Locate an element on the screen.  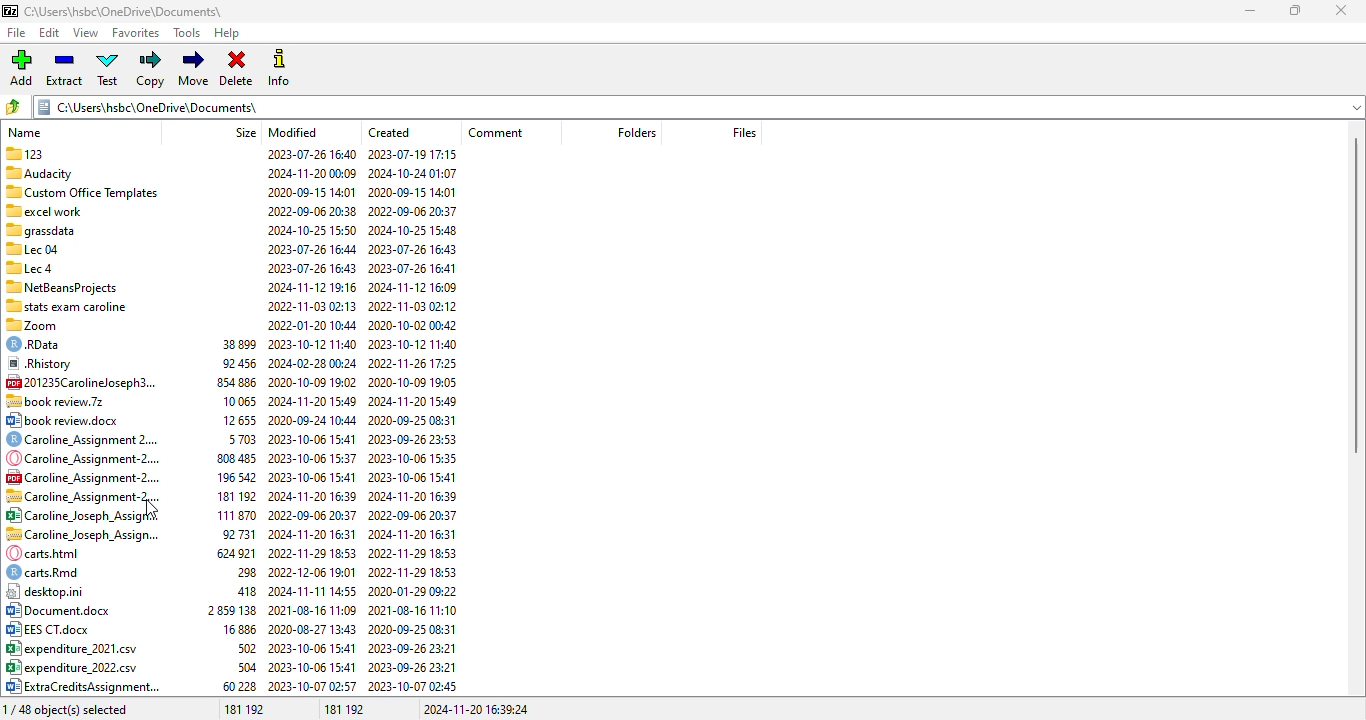
minimize is located at coordinates (1251, 11).